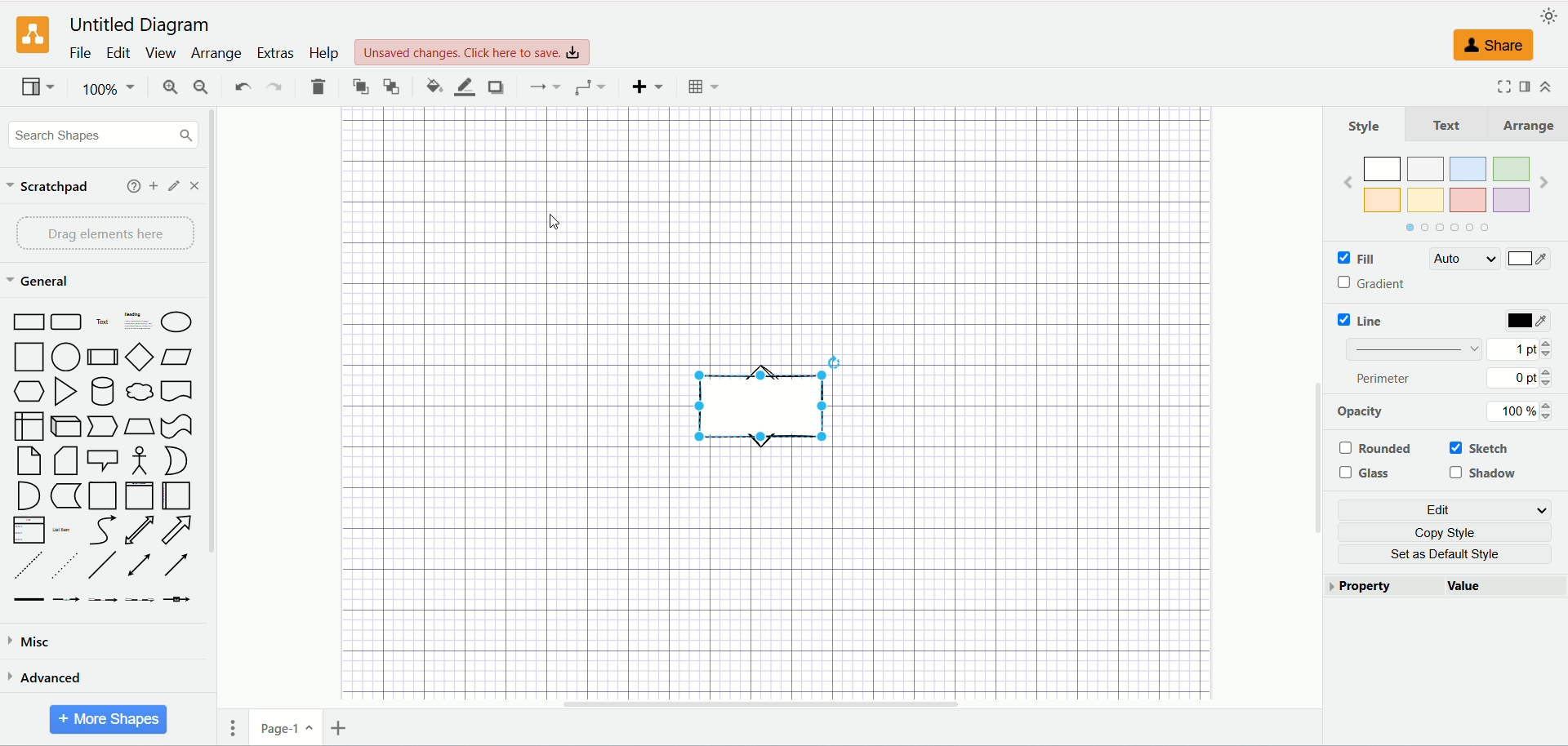 The image size is (1568, 746). Describe the element at coordinates (139, 426) in the screenshot. I see `trapeziod` at that location.